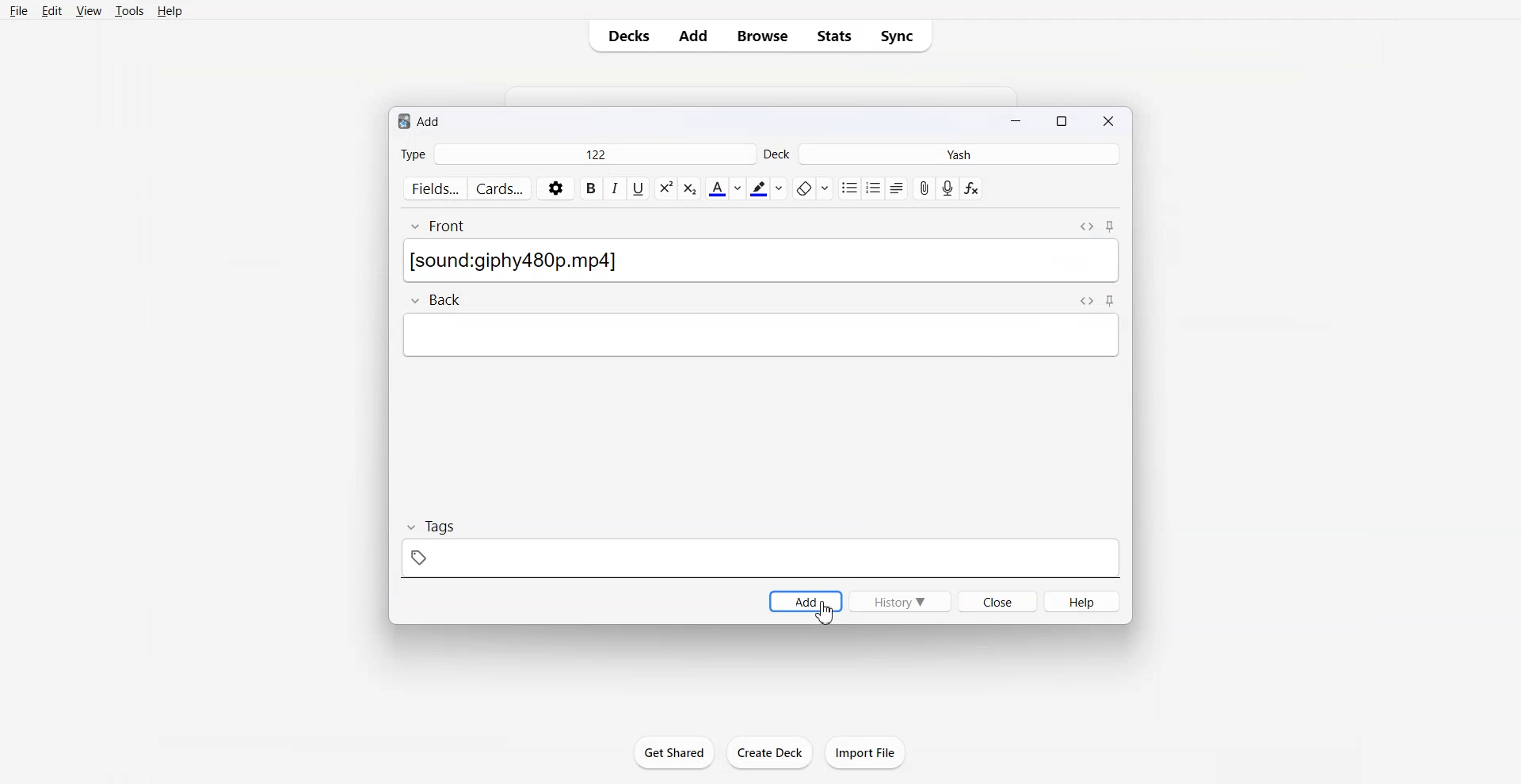  Describe the element at coordinates (1111, 227) in the screenshot. I see `Toggle Sticky` at that location.